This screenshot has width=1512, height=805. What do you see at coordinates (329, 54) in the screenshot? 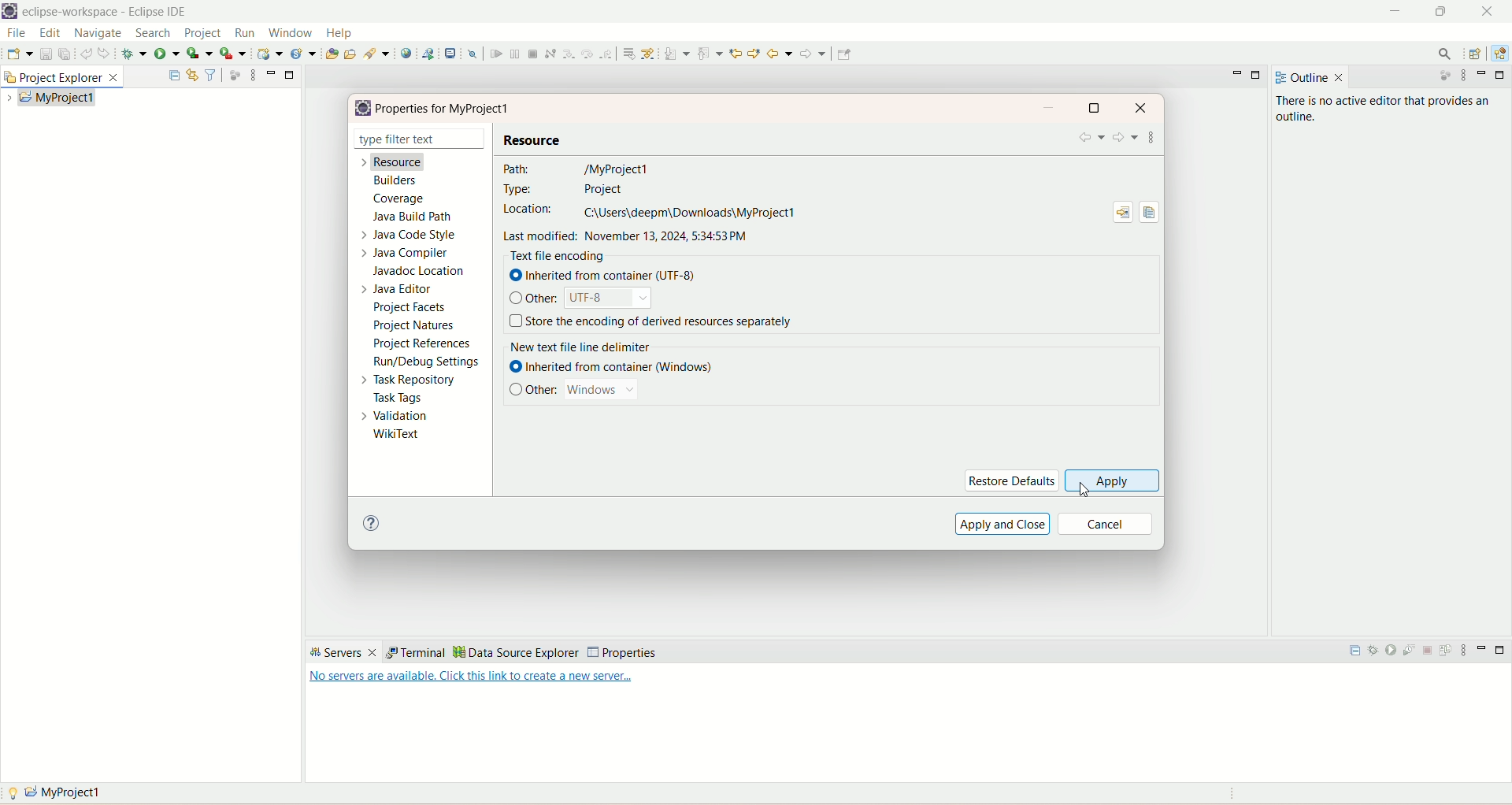
I see `open type` at bounding box center [329, 54].